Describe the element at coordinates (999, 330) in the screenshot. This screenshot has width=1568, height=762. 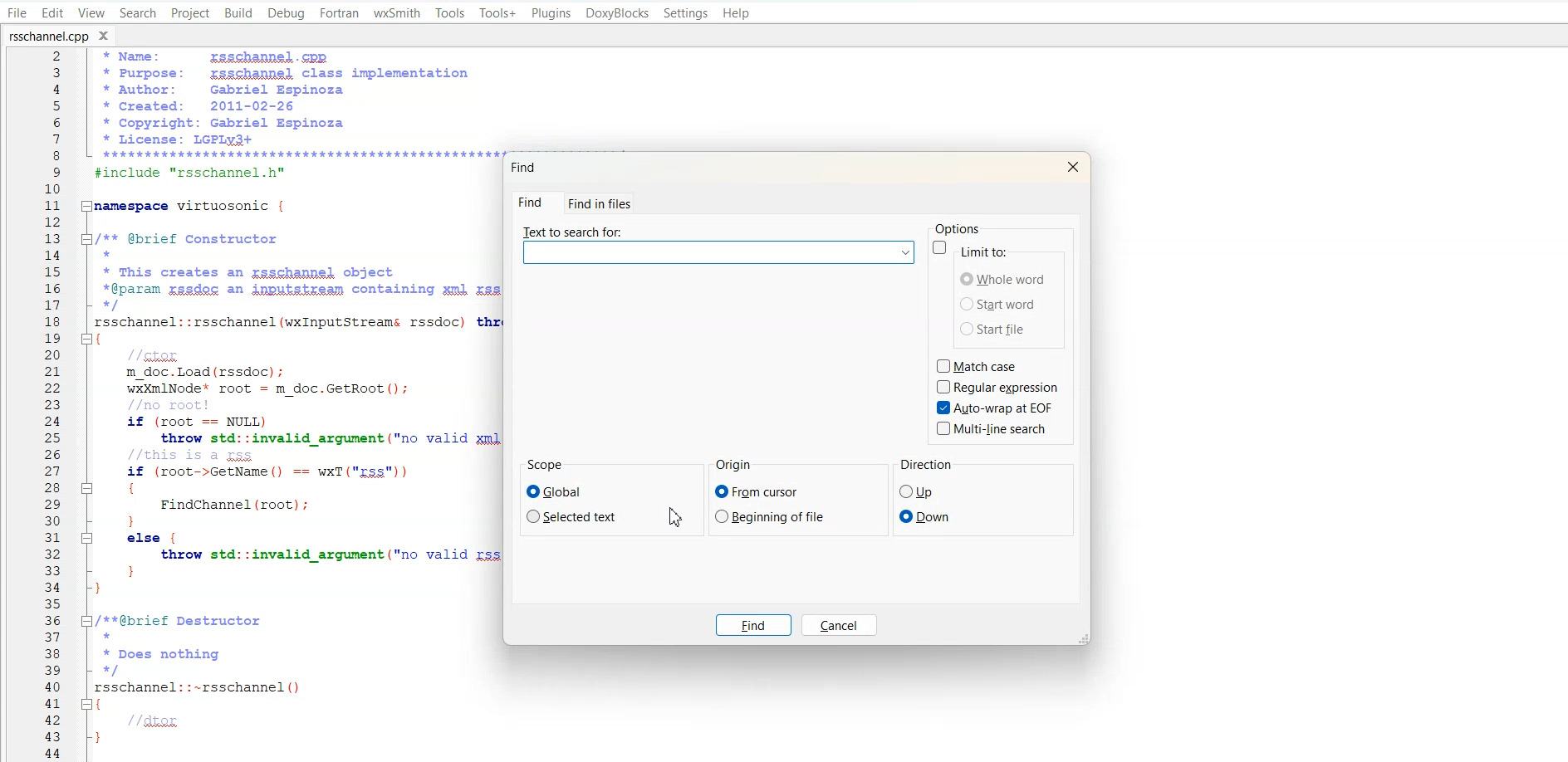
I see `Start file` at that location.